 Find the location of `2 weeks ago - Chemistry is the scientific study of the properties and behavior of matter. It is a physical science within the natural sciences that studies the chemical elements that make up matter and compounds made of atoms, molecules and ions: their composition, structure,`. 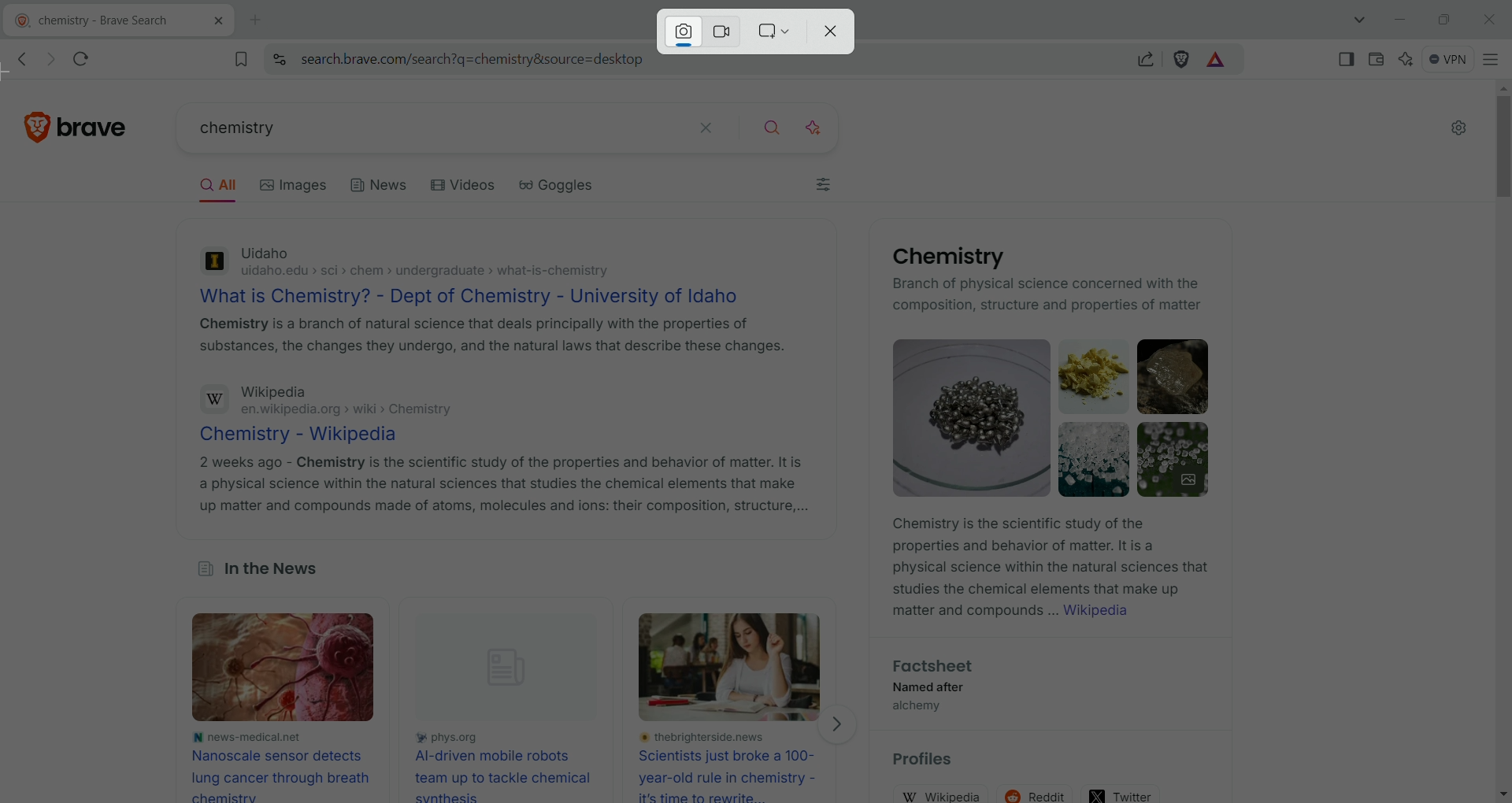

2 weeks ago - Chemistry is the scientific study of the properties and behavior of matter. It is a physical science within the natural sciences that studies the chemical elements that make up matter and compounds made of atoms, molecules and ions: their composition, structure, is located at coordinates (502, 484).